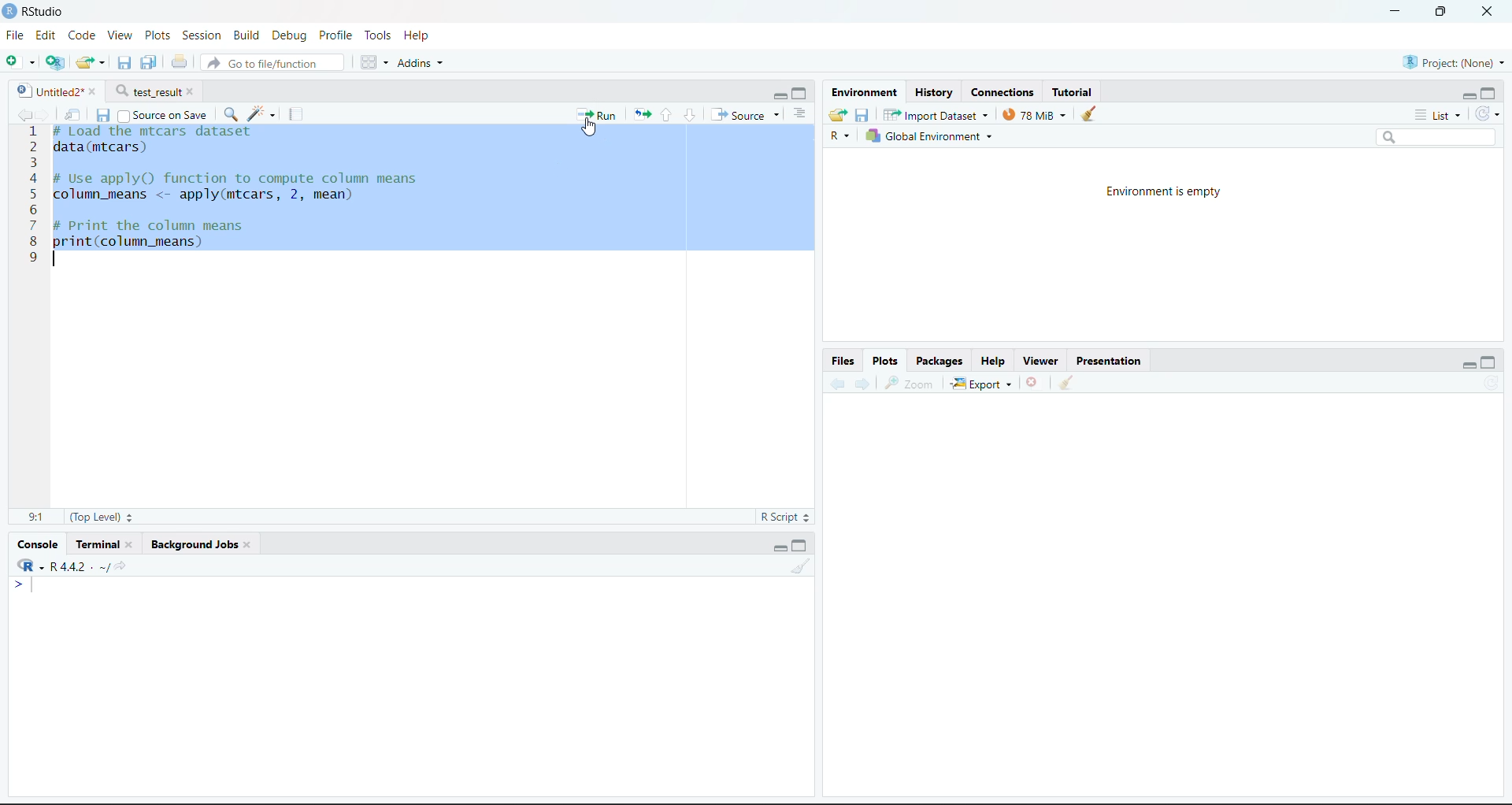 The height and width of the screenshot is (805, 1512). What do you see at coordinates (1437, 114) in the screenshot?
I see `List` at bounding box center [1437, 114].